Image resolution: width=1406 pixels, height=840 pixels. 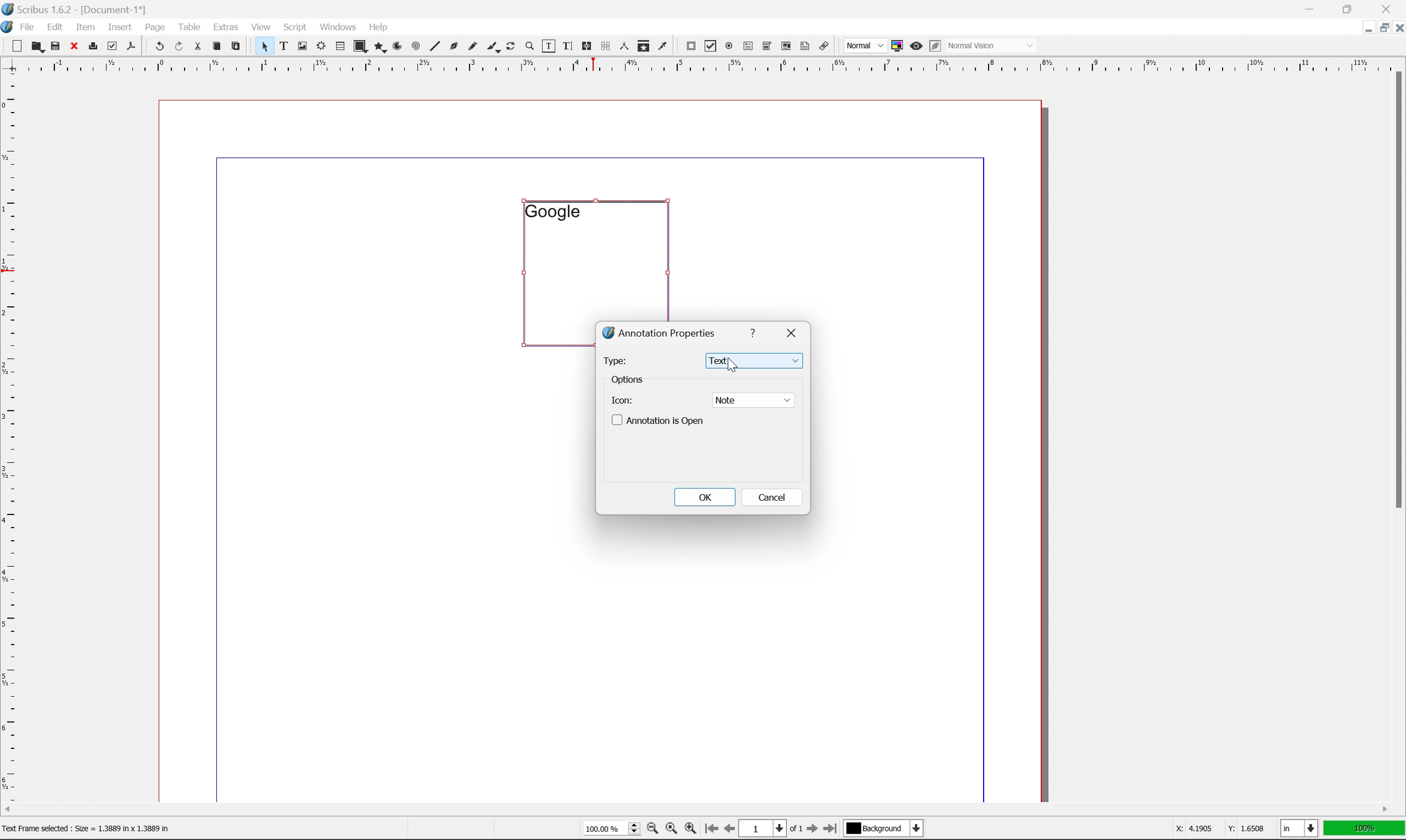 I want to click on new, so click(x=18, y=46).